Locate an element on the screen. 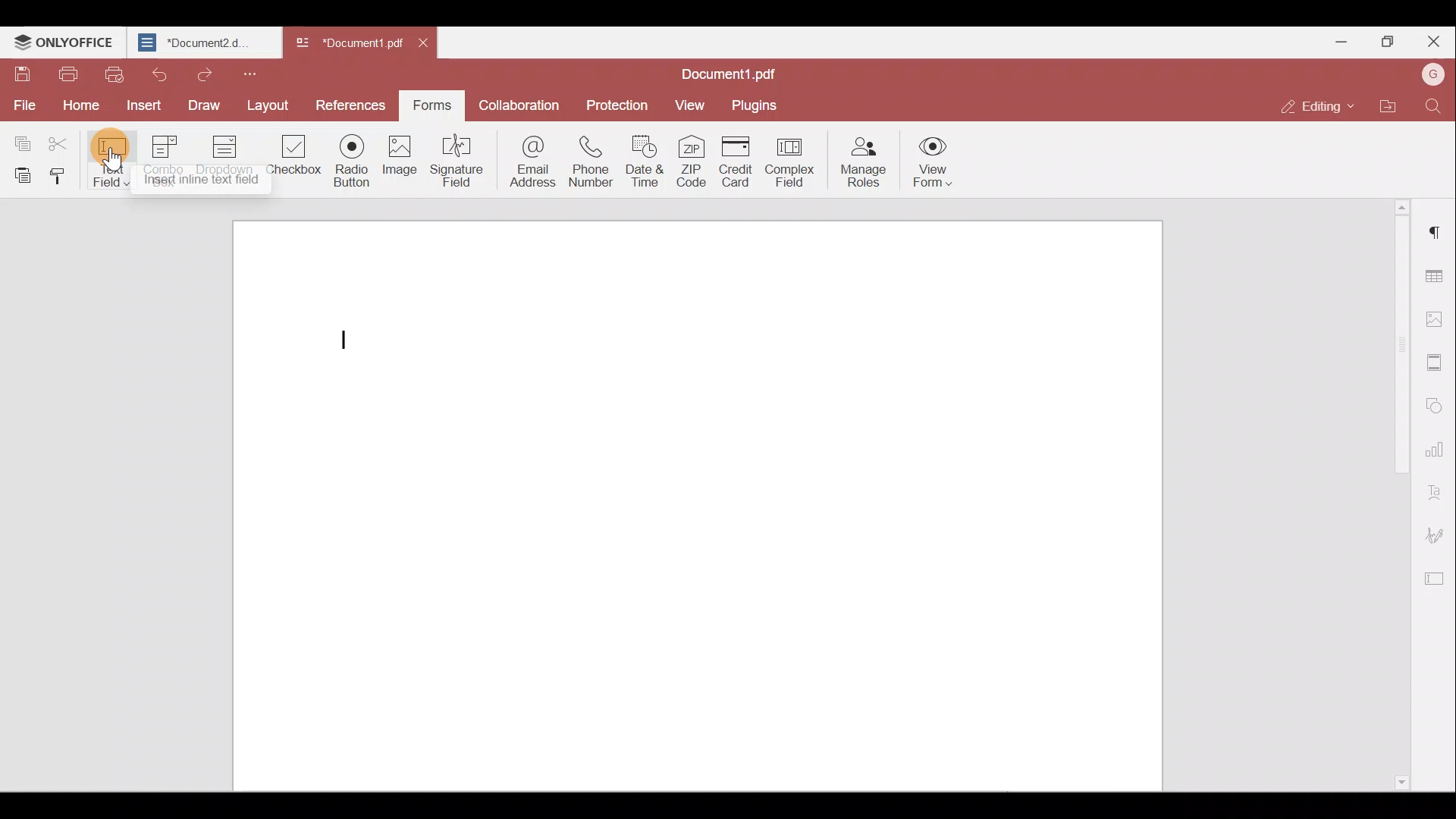 This screenshot has height=819, width=1456. File is located at coordinates (23, 104).